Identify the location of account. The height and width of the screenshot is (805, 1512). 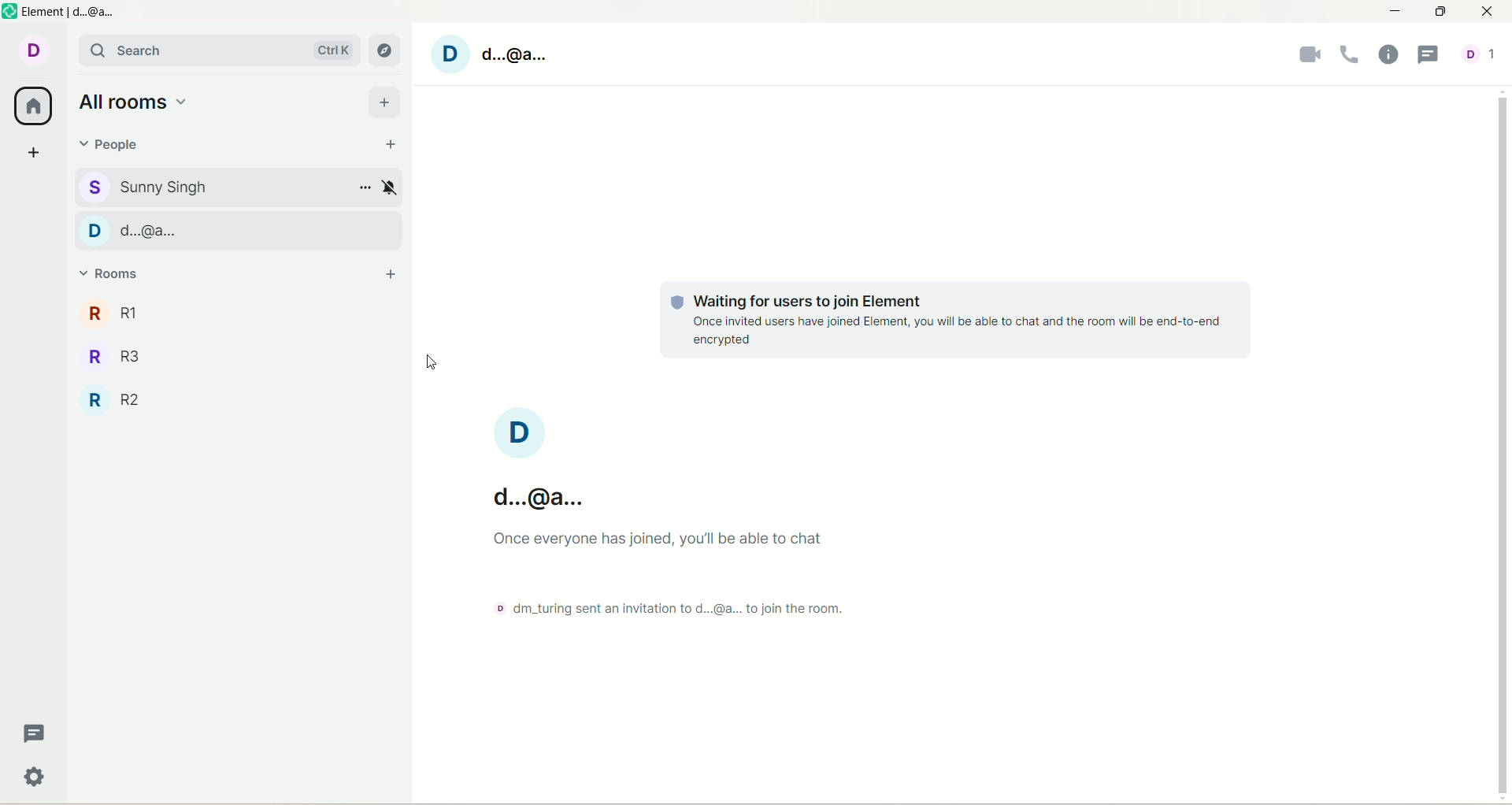
(31, 51).